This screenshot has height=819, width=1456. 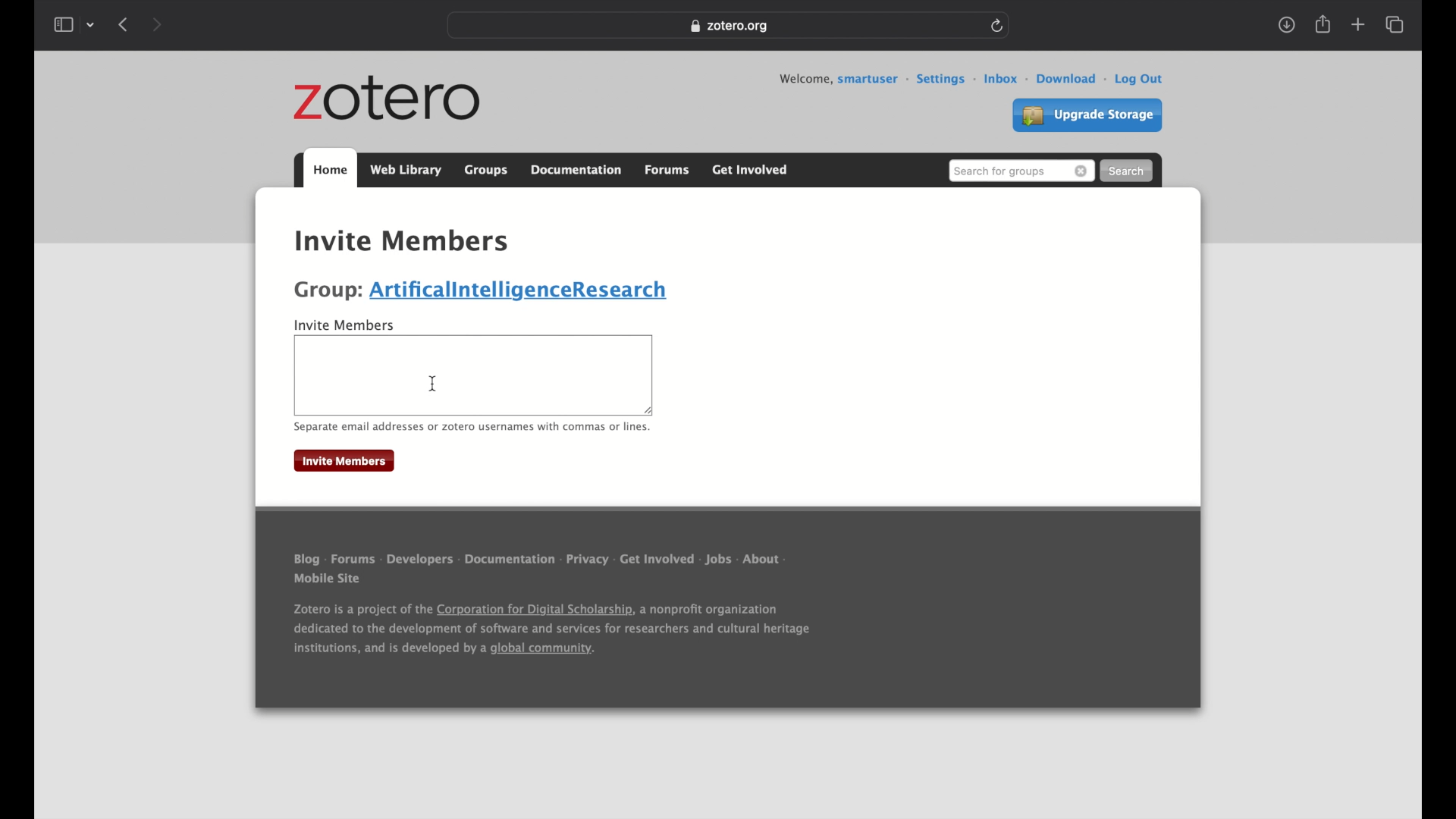 I want to click on textbox boundary, so click(x=653, y=374).